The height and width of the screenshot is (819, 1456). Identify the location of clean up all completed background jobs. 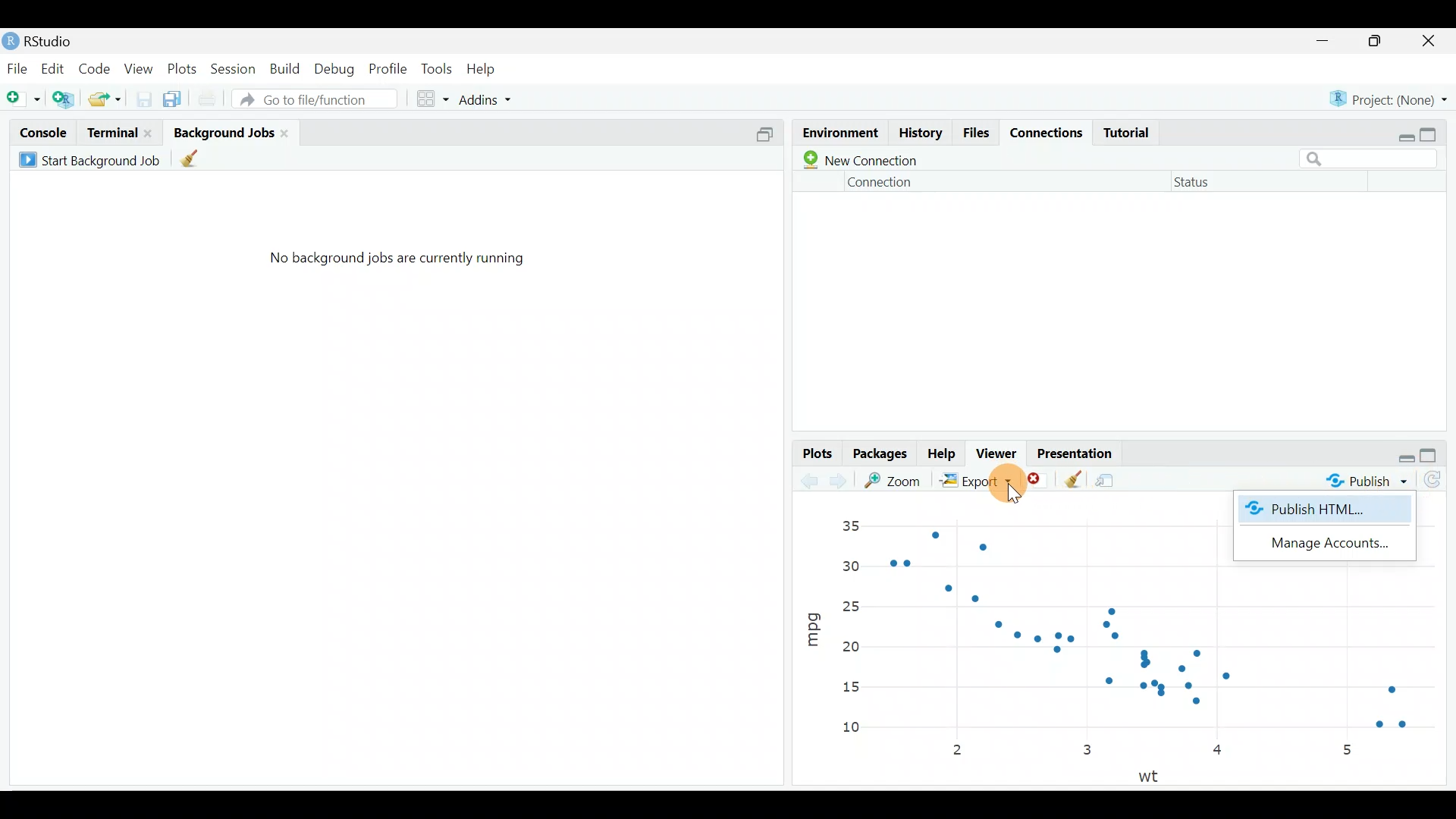
(201, 161).